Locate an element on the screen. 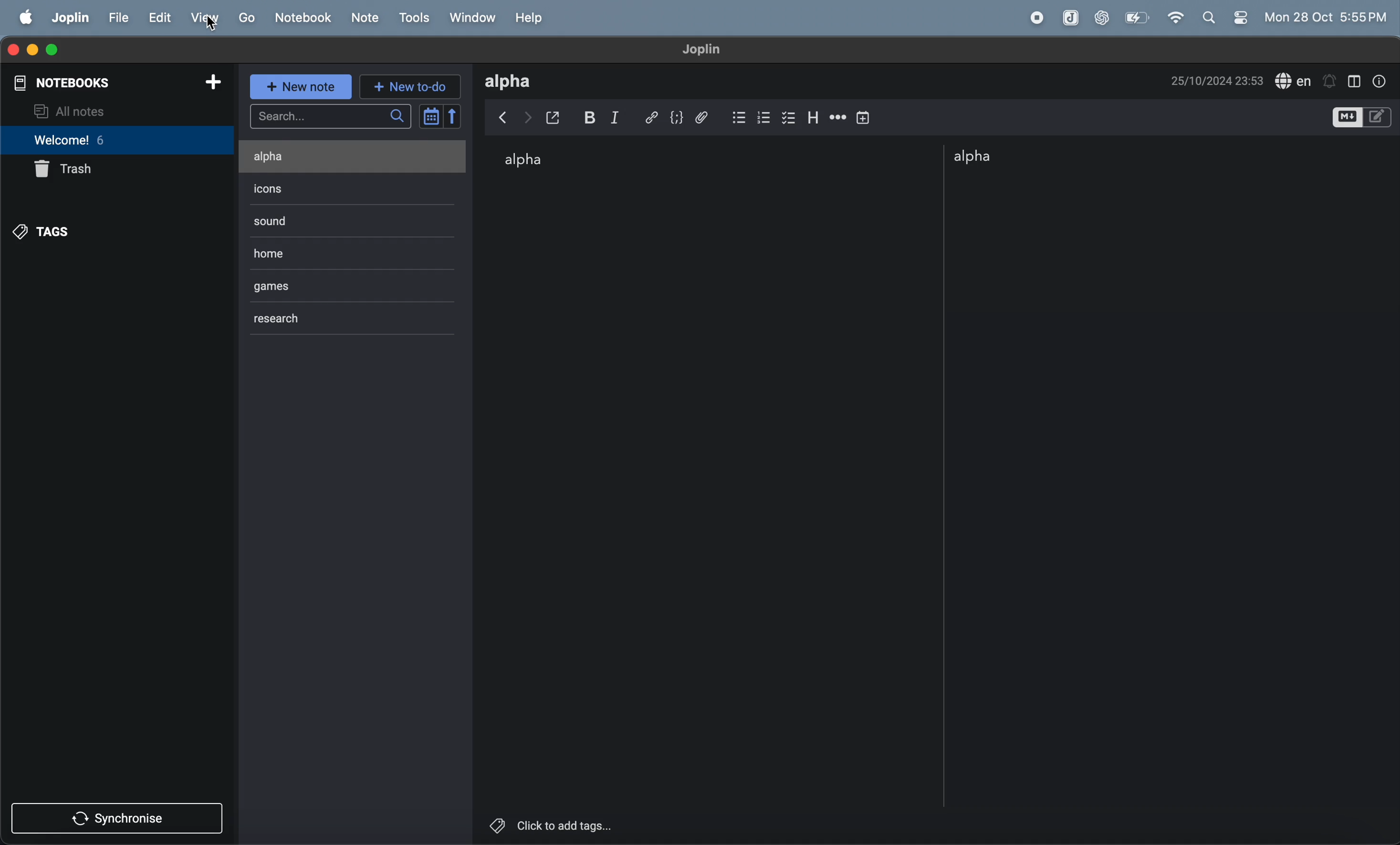 The height and width of the screenshot is (845, 1400). record is located at coordinates (1040, 18).